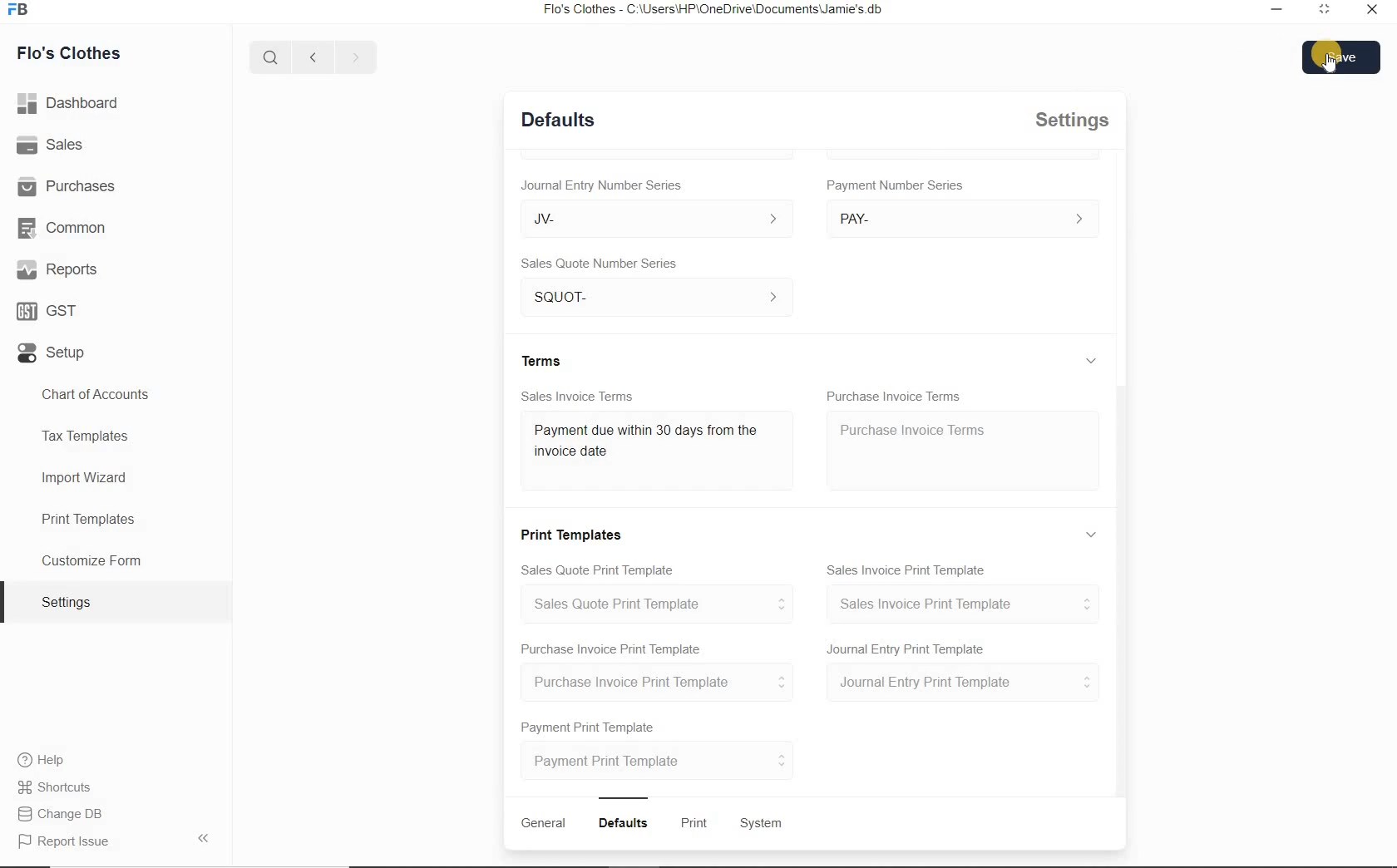 The image size is (1397, 868). I want to click on Print Templates, so click(569, 534).